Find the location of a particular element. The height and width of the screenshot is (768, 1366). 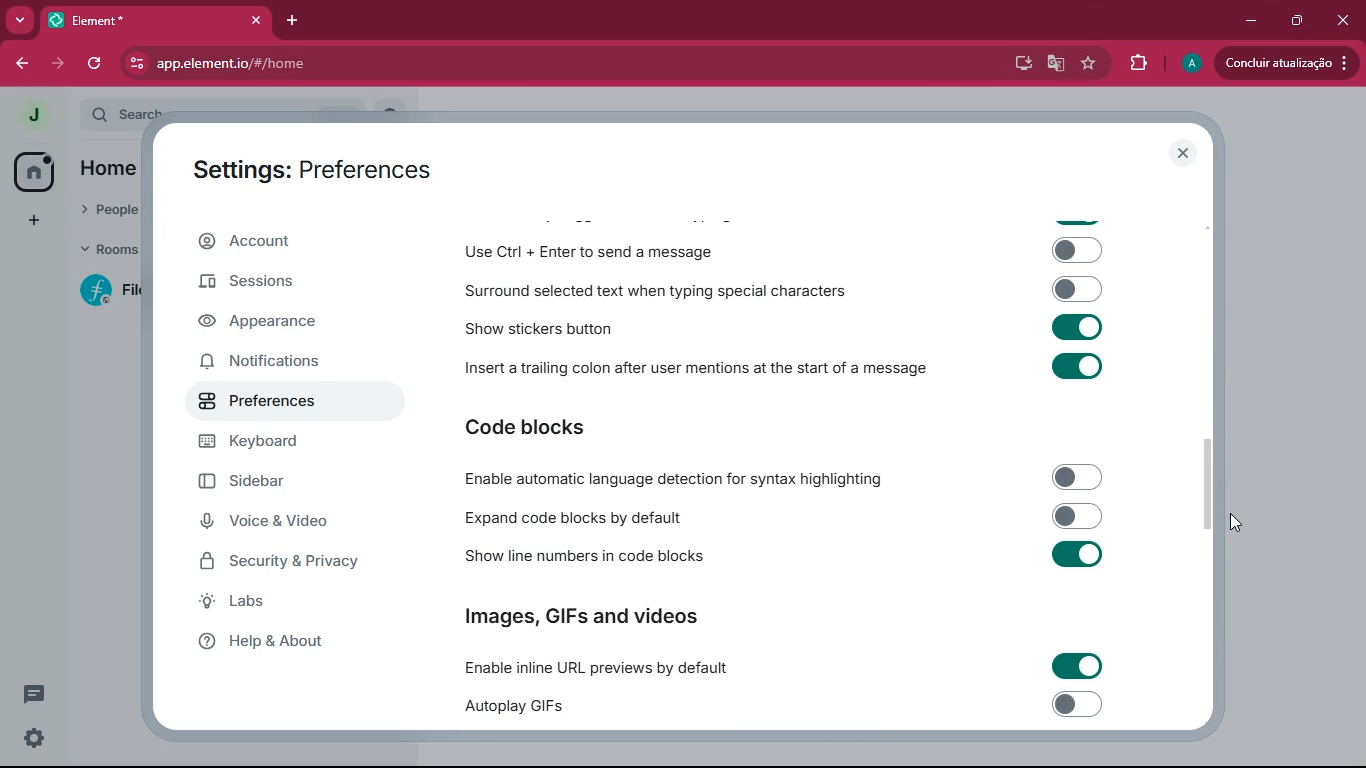

search ctrl k is located at coordinates (234, 115).